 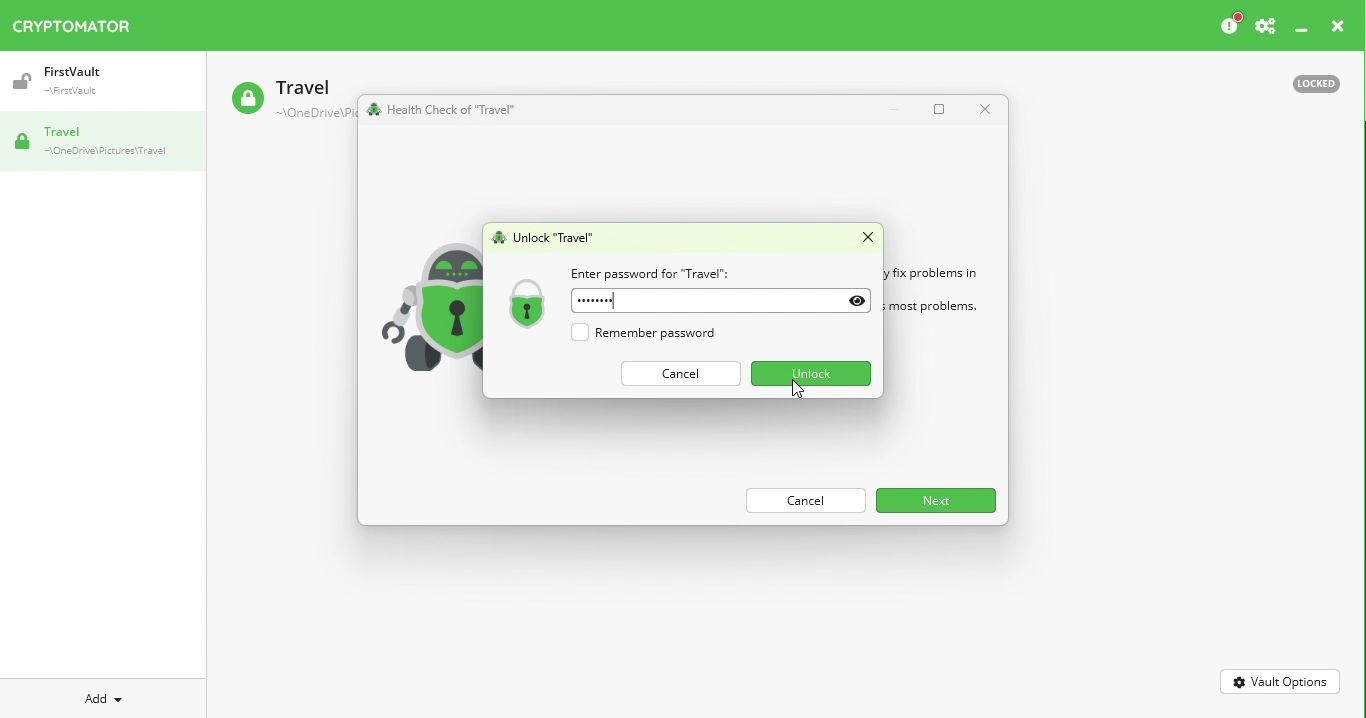 I want to click on Add Dropdown, so click(x=104, y=699).